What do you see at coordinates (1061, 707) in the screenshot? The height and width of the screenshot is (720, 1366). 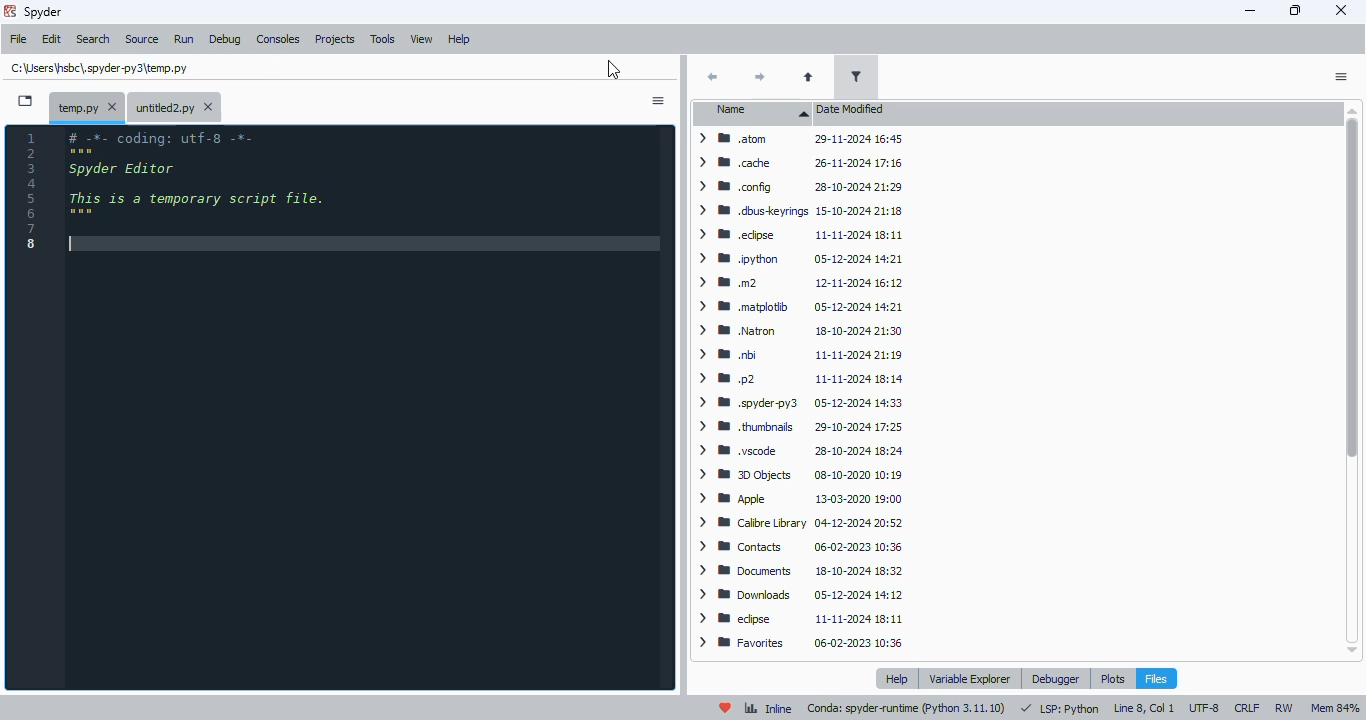 I see ` LSP: Python` at bounding box center [1061, 707].